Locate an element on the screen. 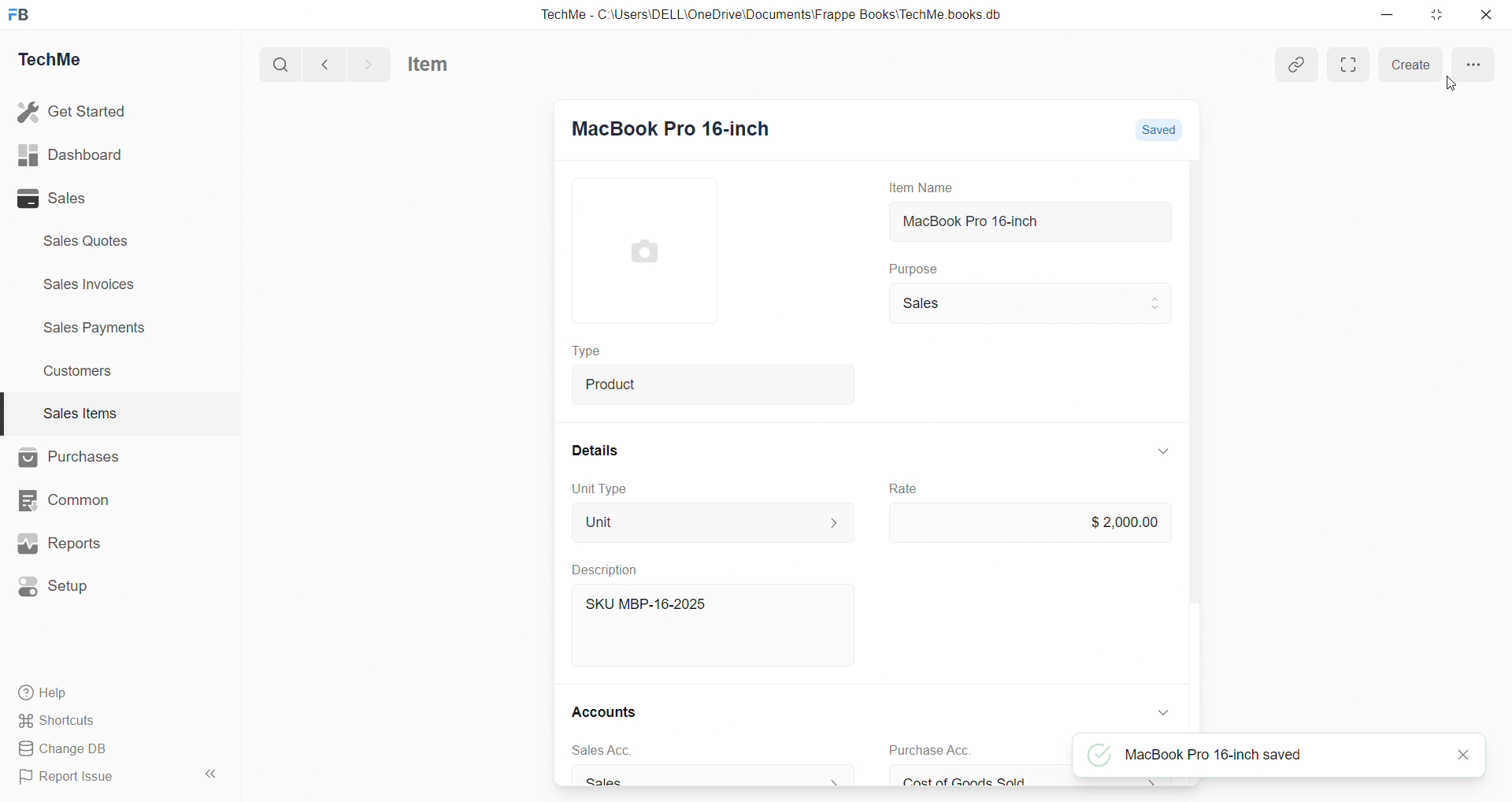 The height and width of the screenshot is (802, 1512). Purchases is located at coordinates (70, 458).